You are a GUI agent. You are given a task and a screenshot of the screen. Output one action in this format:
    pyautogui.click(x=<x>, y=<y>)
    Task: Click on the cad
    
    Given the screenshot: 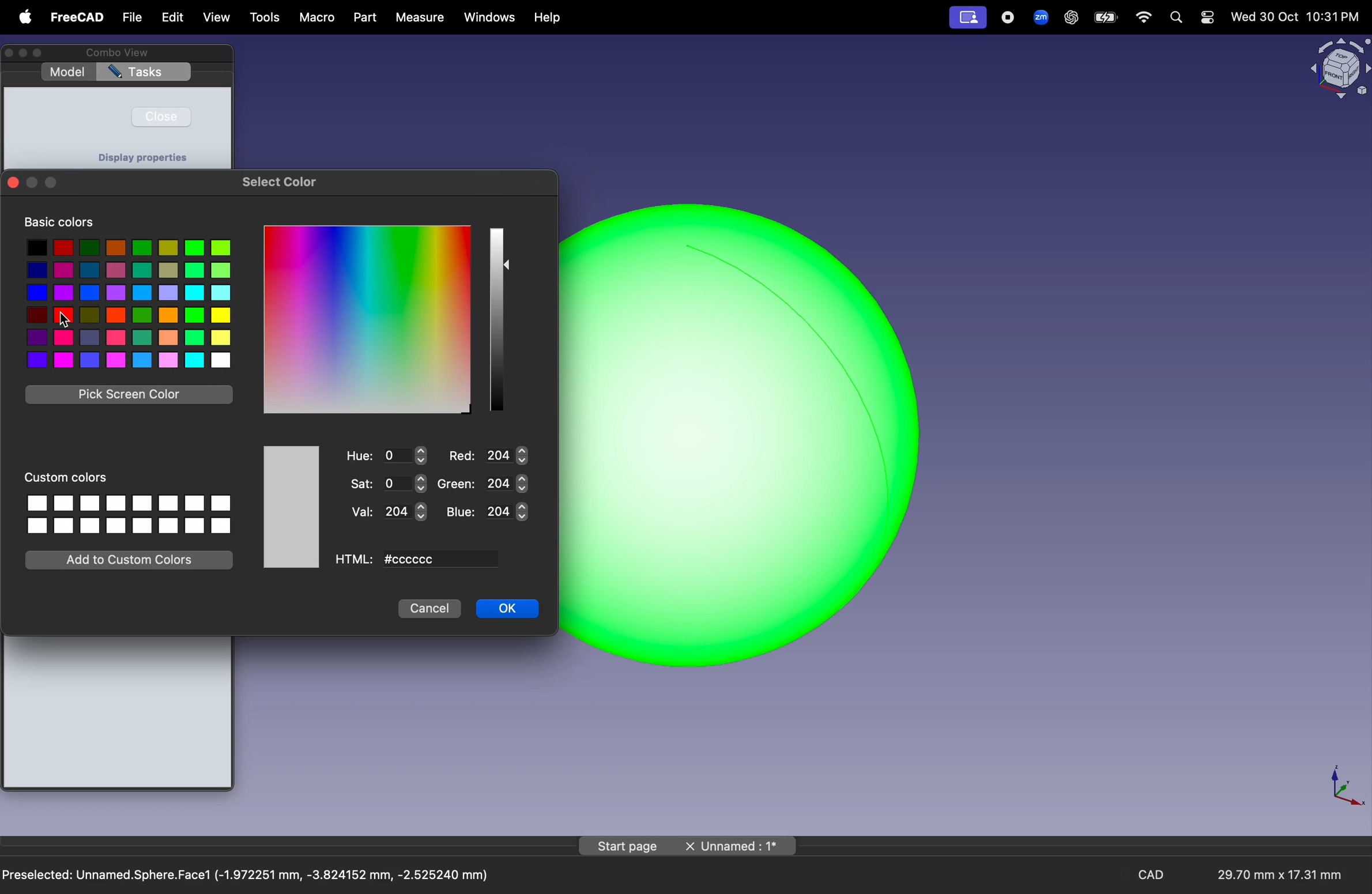 What is the action you would take?
    pyautogui.click(x=1155, y=875)
    